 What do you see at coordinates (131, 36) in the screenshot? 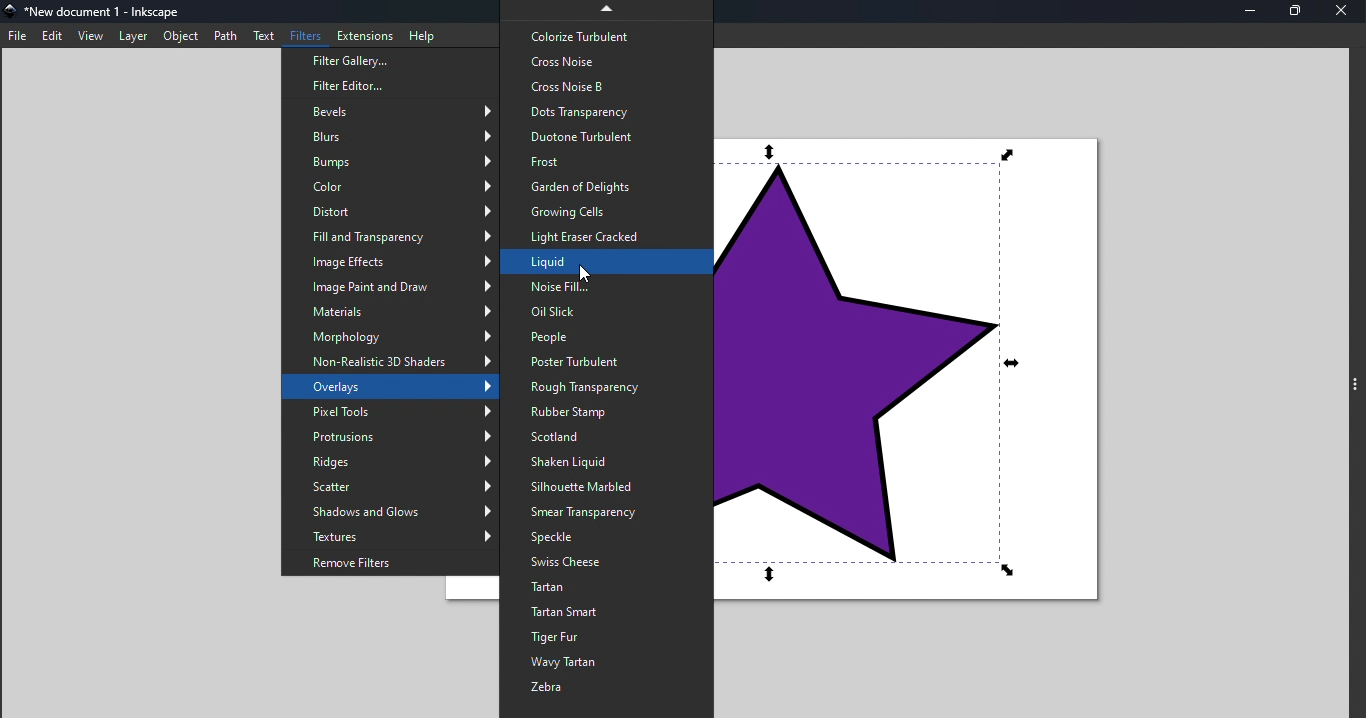
I see `Layer` at bounding box center [131, 36].